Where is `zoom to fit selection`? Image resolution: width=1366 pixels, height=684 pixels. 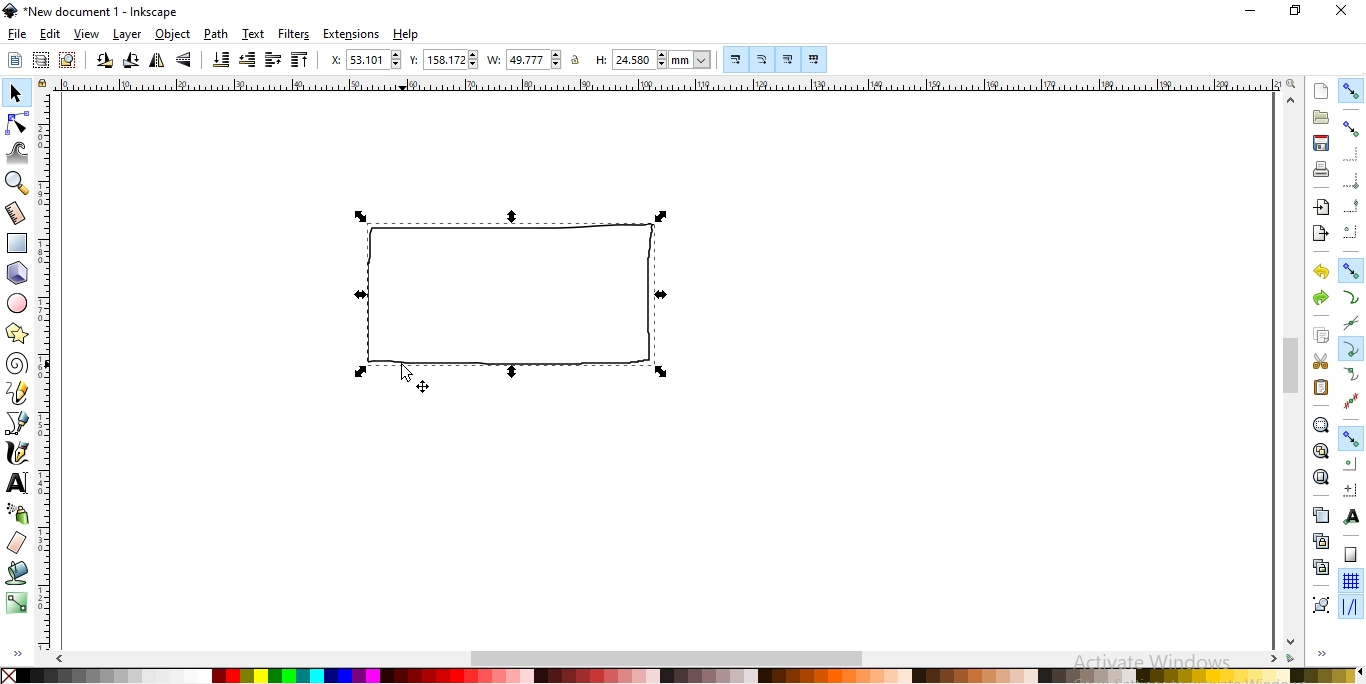 zoom to fit selection is located at coordinates (1320, 425).